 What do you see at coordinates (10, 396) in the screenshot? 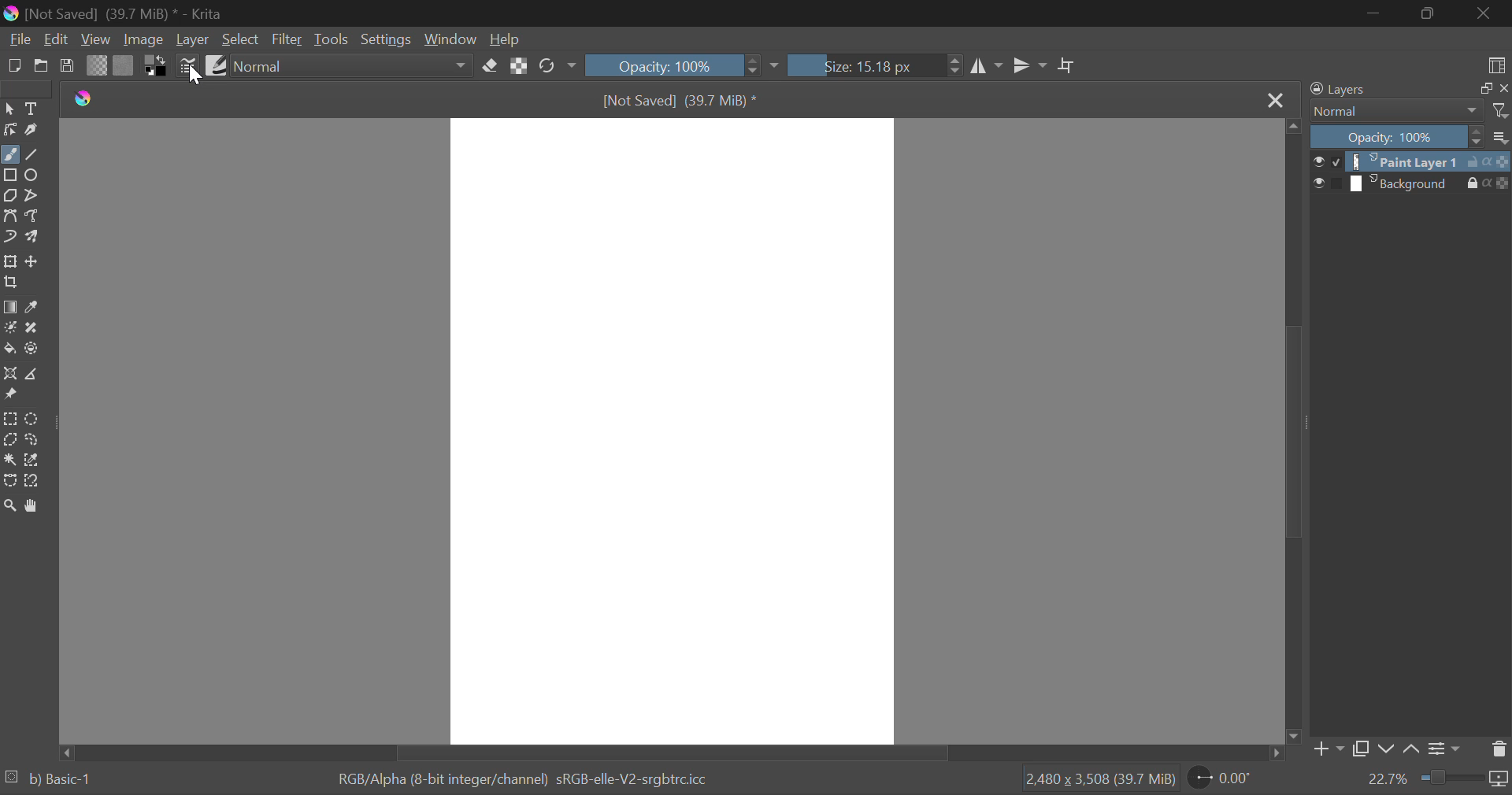
I see `Reference Images` at bounding box center [10, 396].